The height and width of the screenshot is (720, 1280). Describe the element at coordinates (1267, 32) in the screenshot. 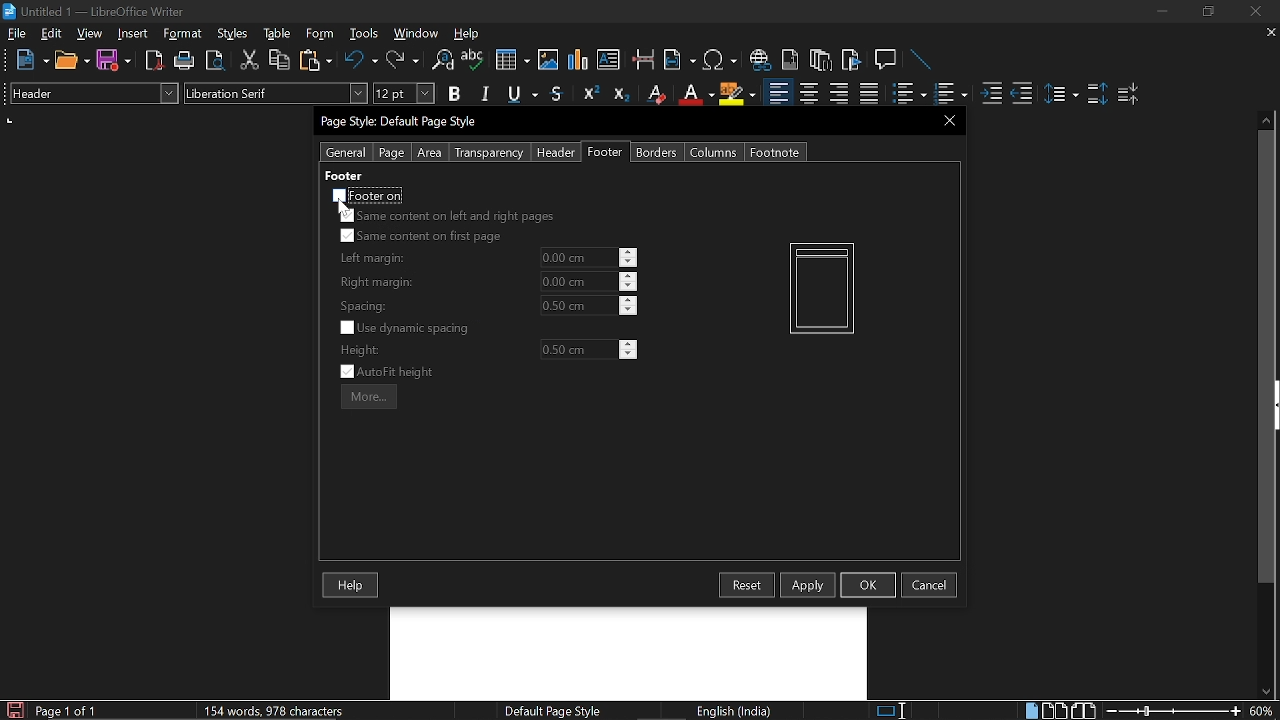

I see `Close current tab` at that location.